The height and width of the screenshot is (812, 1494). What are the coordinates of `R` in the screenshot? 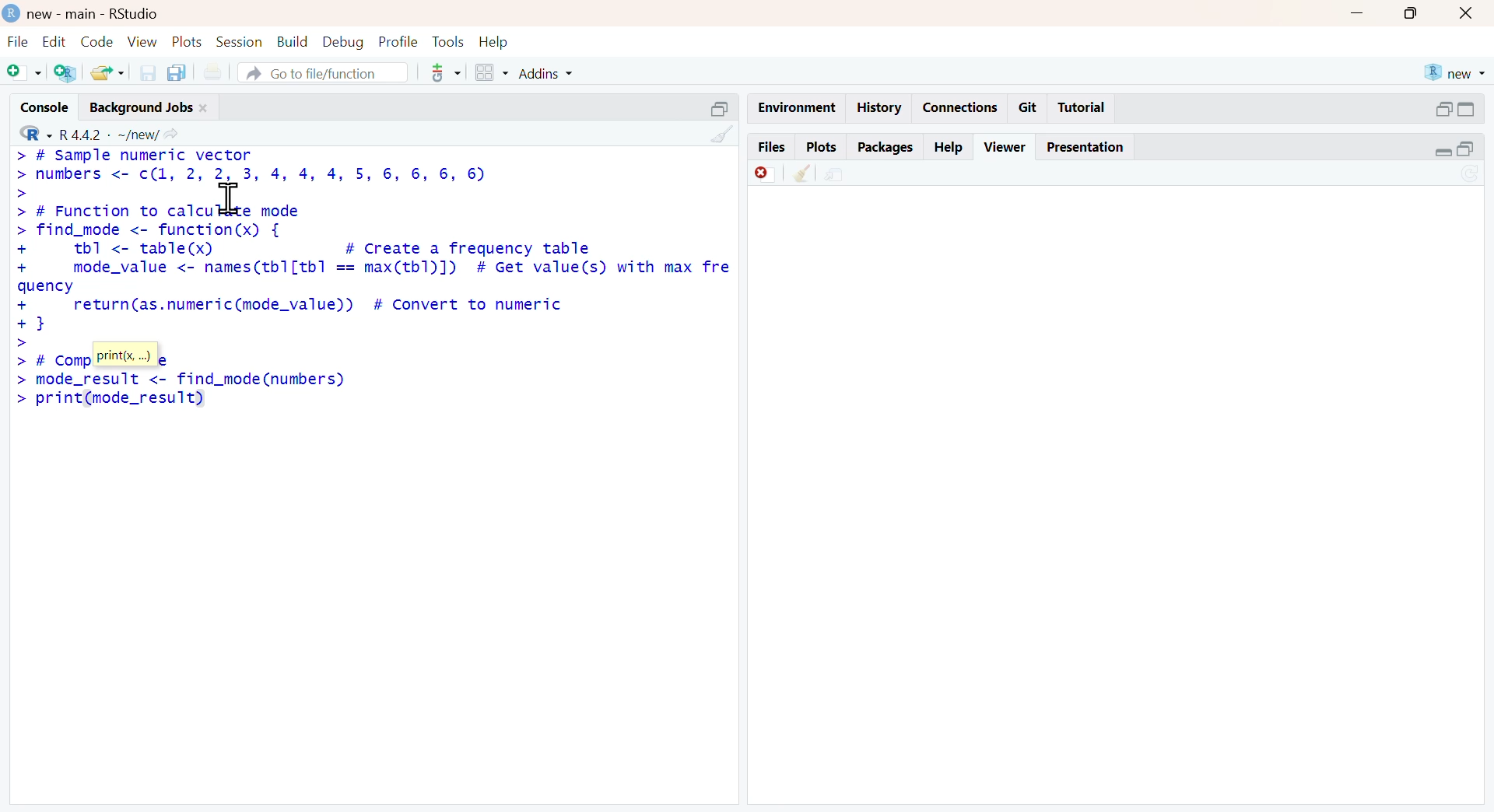 It's located at (36, 134).